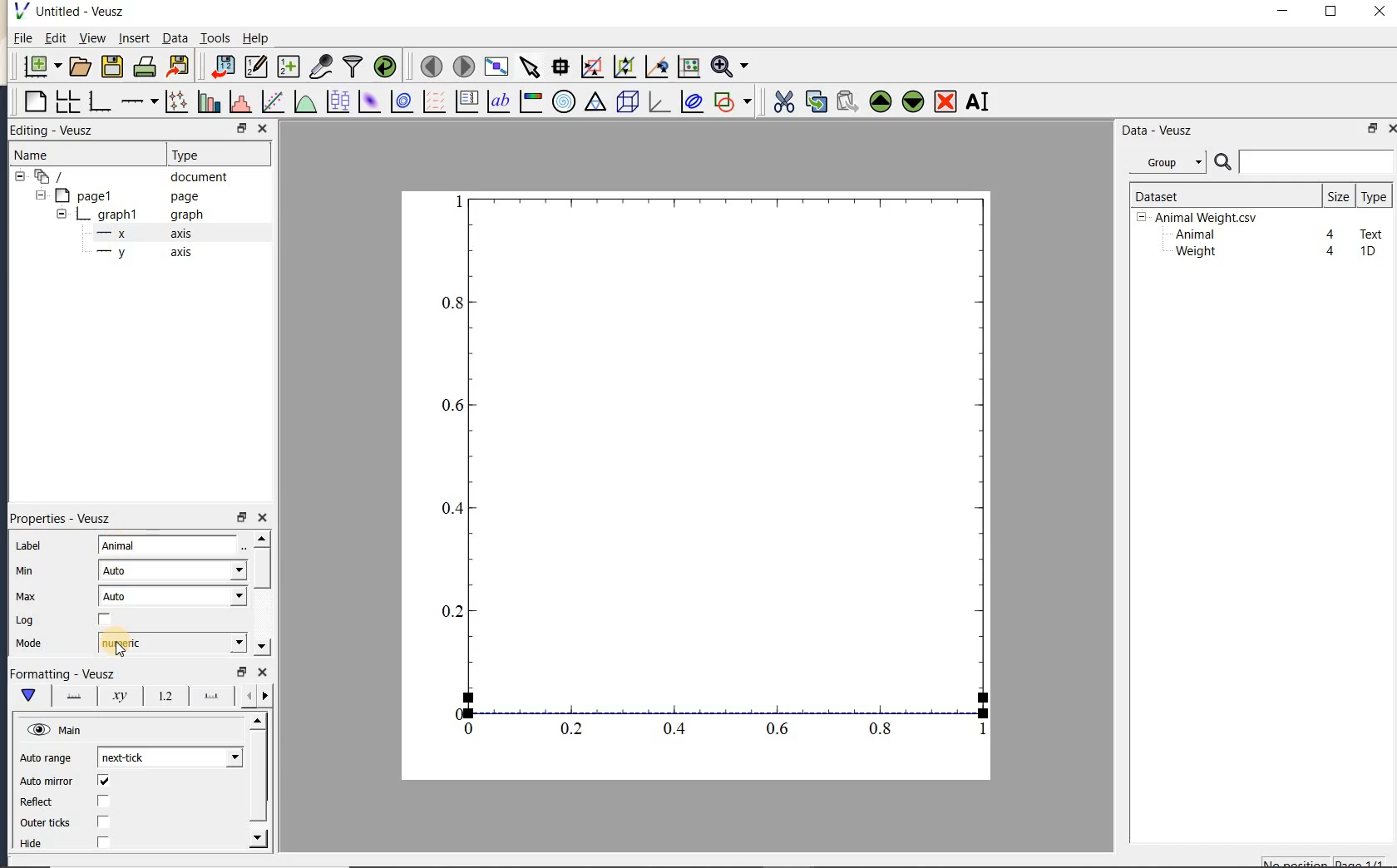  I want to click on click to zoom out of graph axes, so click(625, 66).